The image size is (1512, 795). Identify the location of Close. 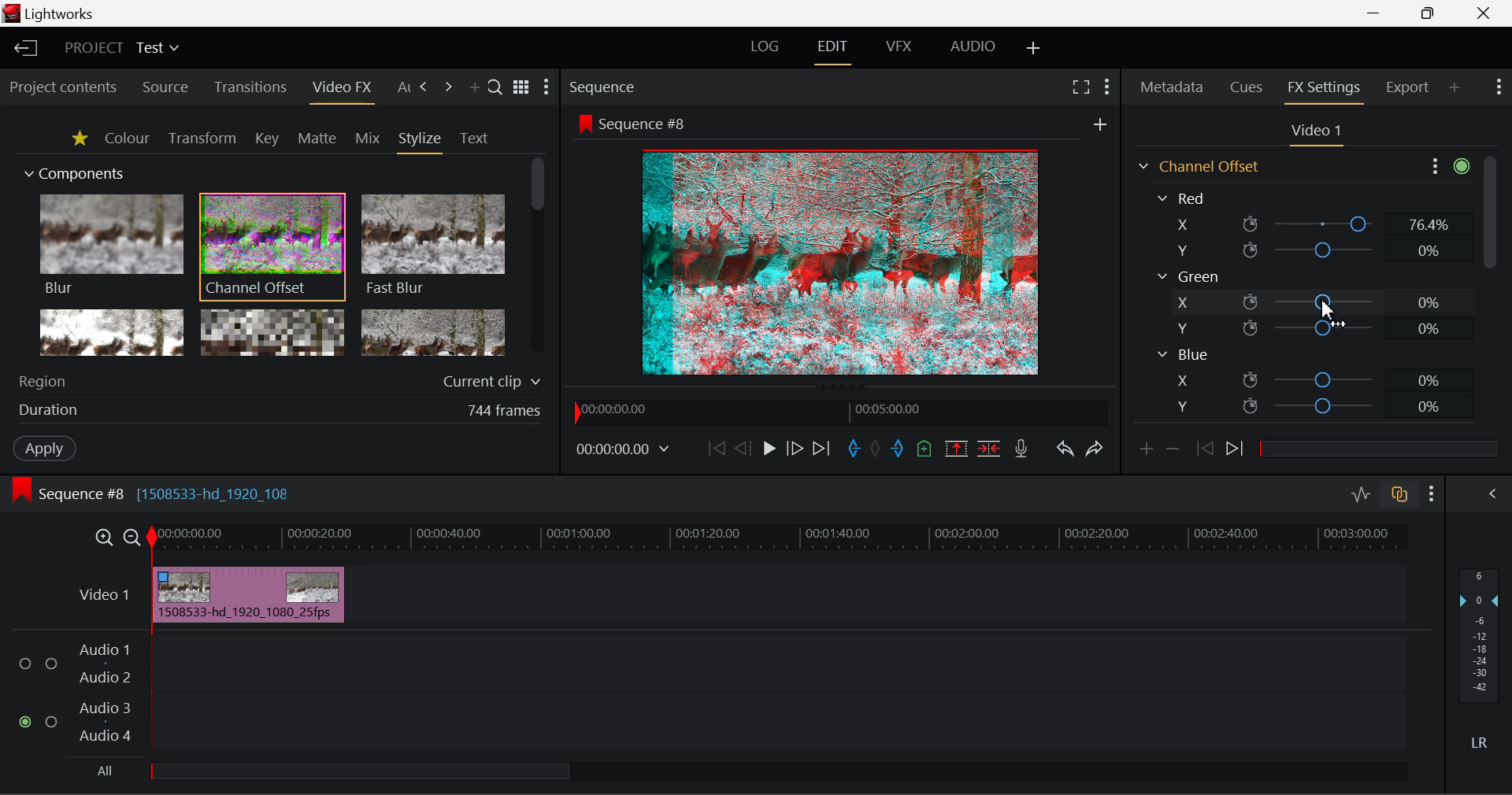
(1483, 14).